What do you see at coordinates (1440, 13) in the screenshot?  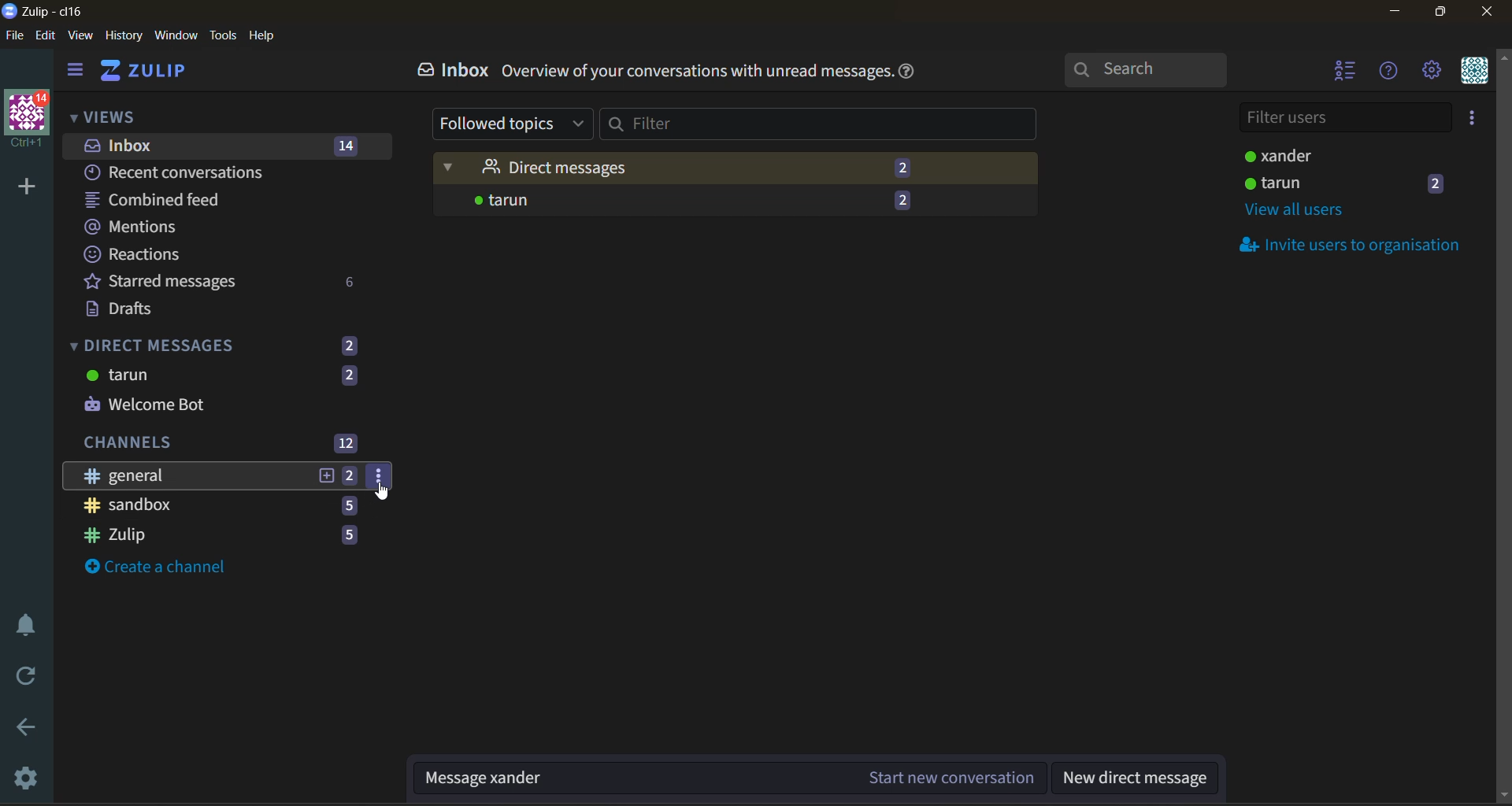 I see `maximize` at bounding box center [1440, 13].